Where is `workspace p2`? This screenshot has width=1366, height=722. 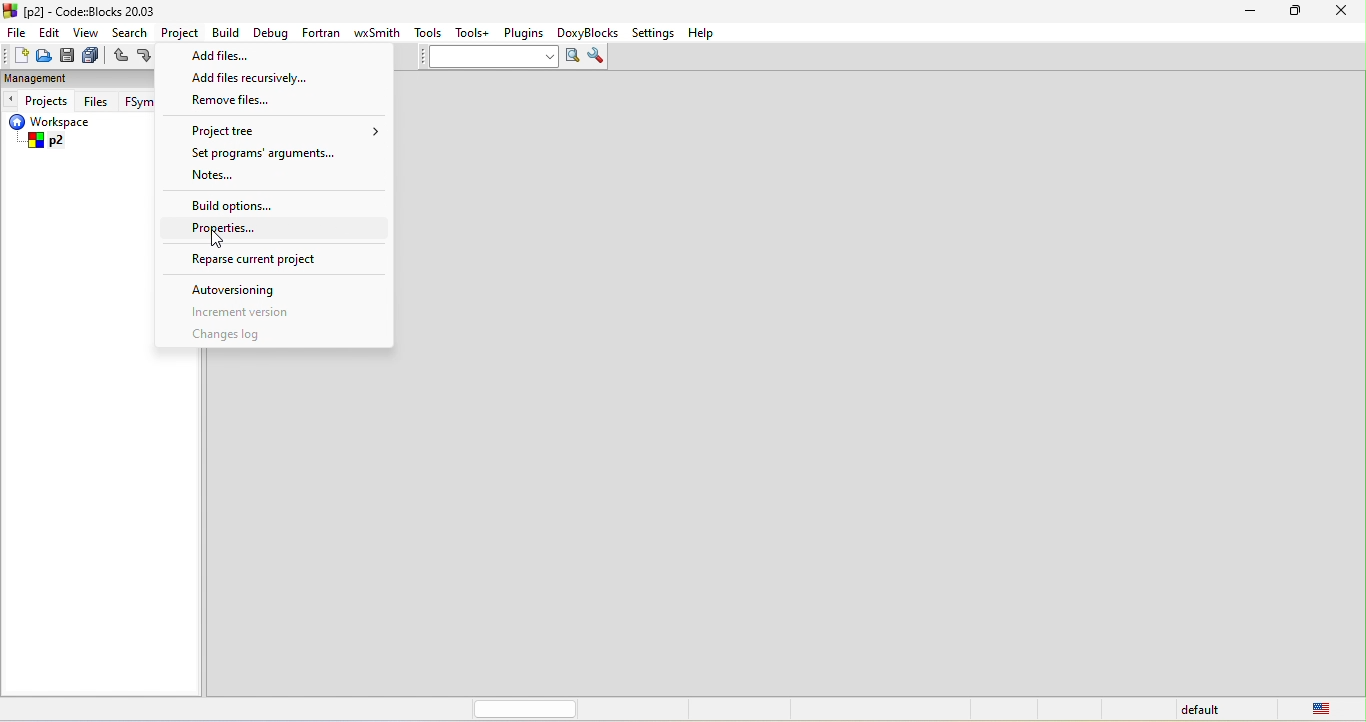 workspace p2 is located at coordinates (63, 134).